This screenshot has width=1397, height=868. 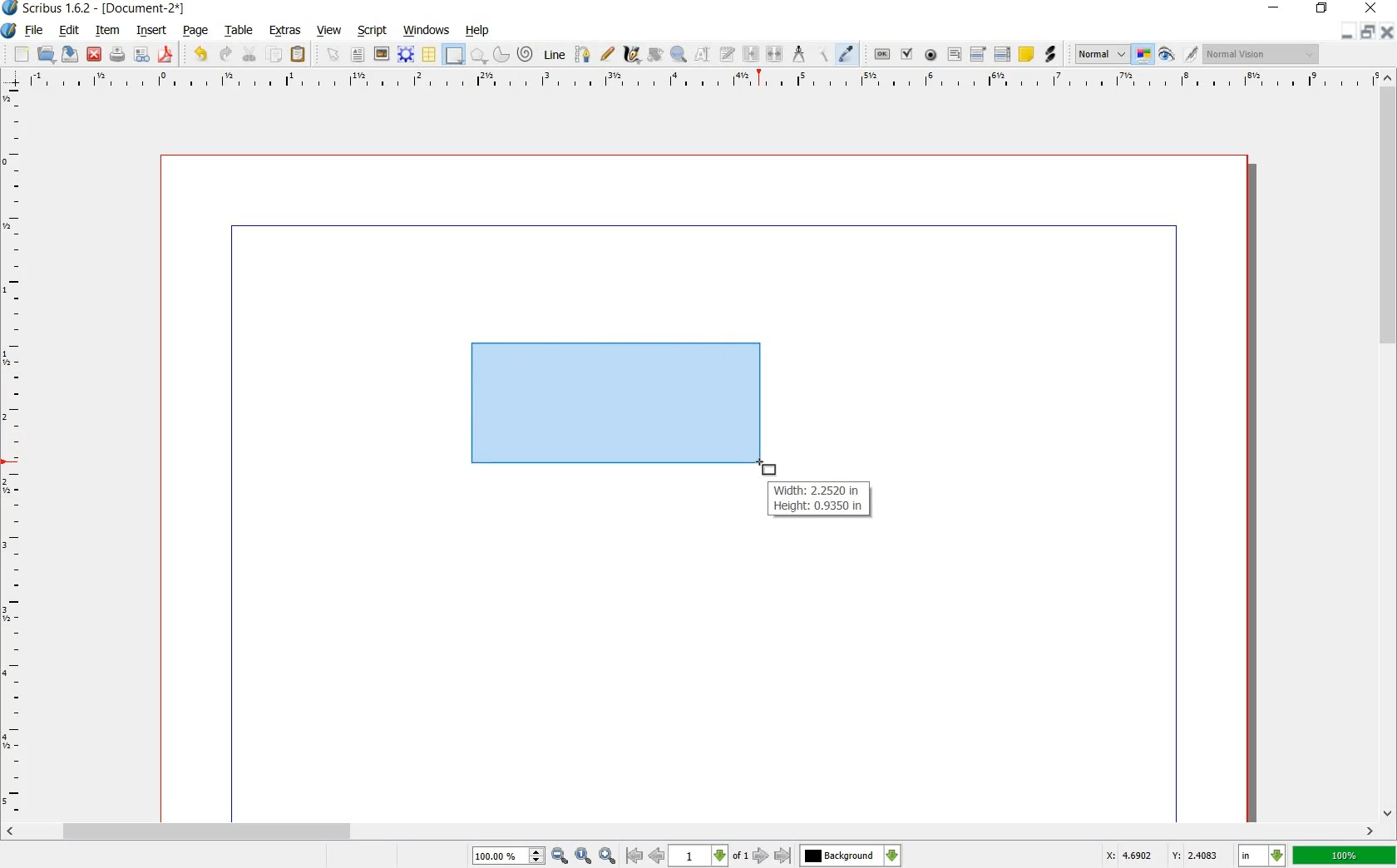 I want to click on CUT, so click(x=250, y=54).